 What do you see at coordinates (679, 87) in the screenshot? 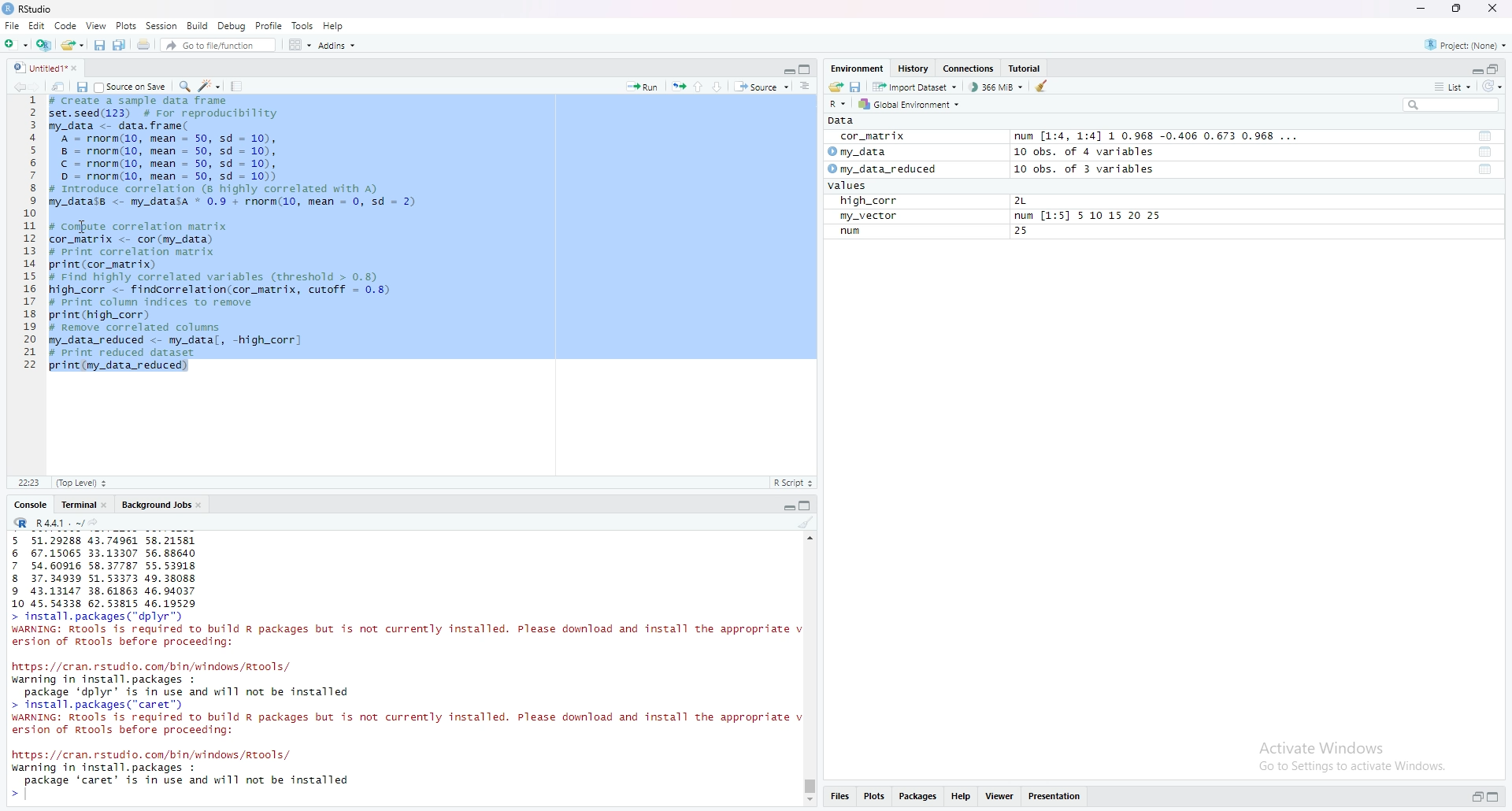
I see `run` at bounding box center [679, 87].